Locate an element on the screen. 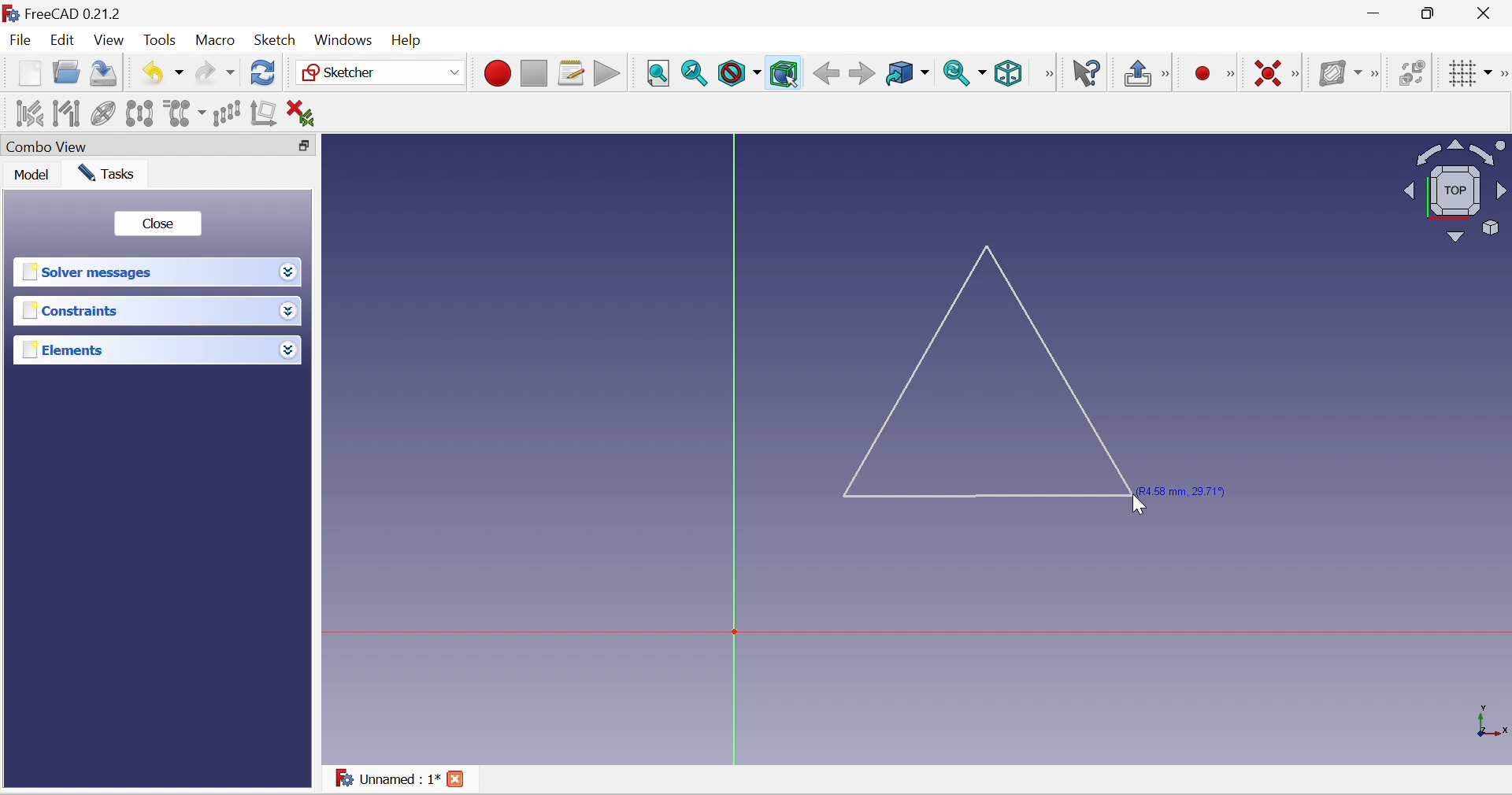  (R4.58 mm, 29.71°) is located at coordinates (1193, 490).